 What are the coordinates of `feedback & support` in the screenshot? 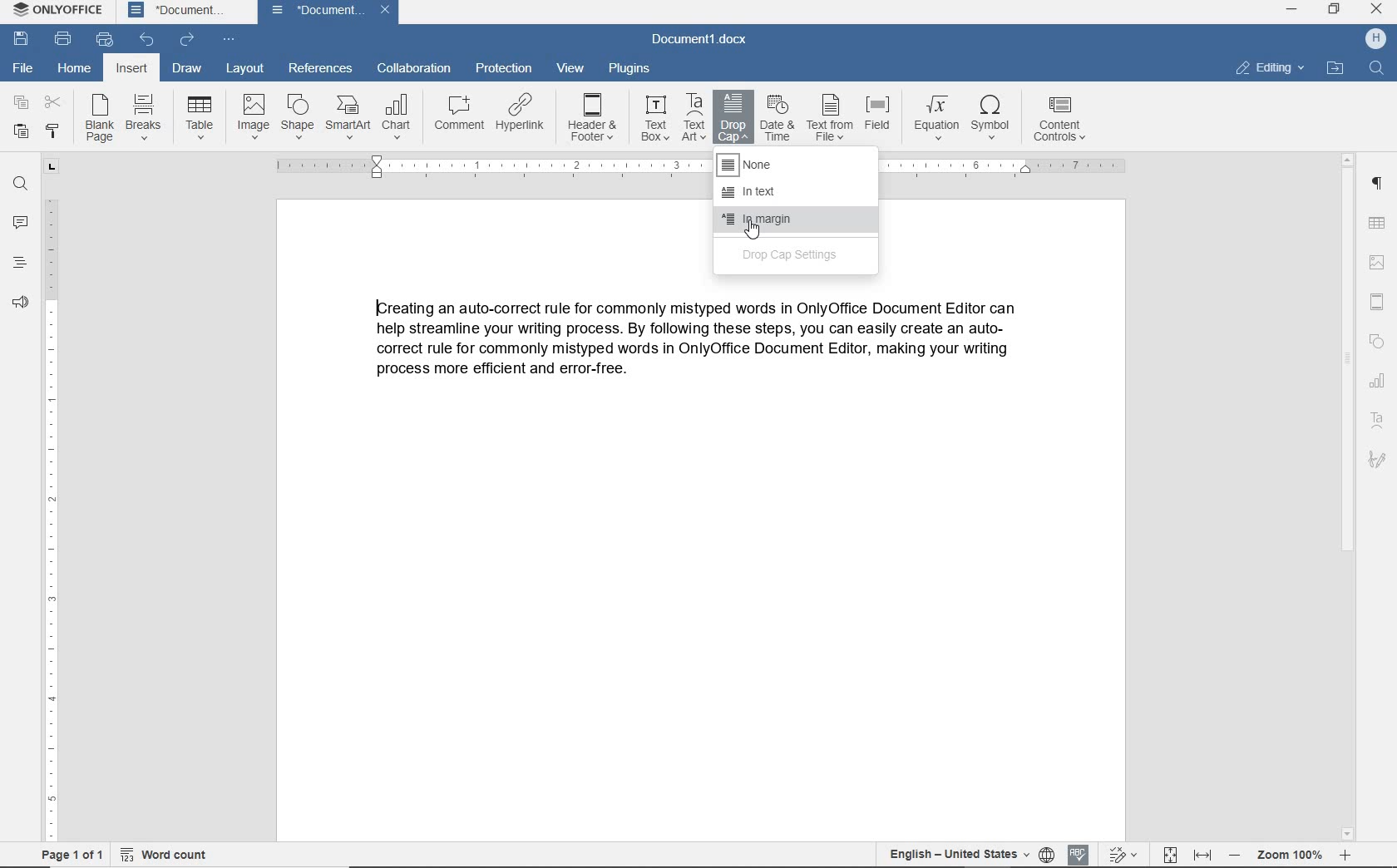 It's located at (21, 303).